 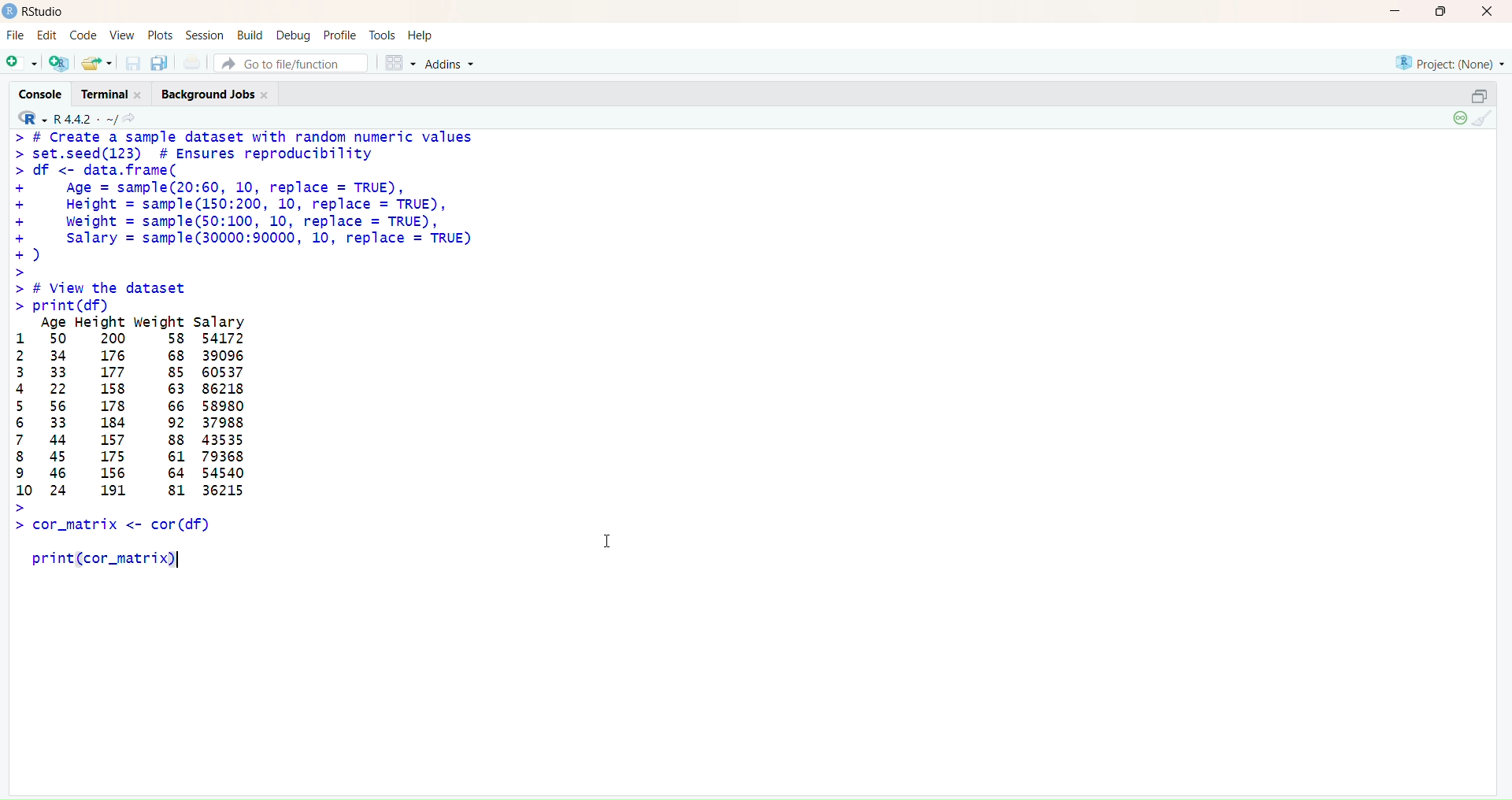 What do you see at coordinates (82, 36) in the screenshot?
I see `Code` at bounding box center [82, 36].